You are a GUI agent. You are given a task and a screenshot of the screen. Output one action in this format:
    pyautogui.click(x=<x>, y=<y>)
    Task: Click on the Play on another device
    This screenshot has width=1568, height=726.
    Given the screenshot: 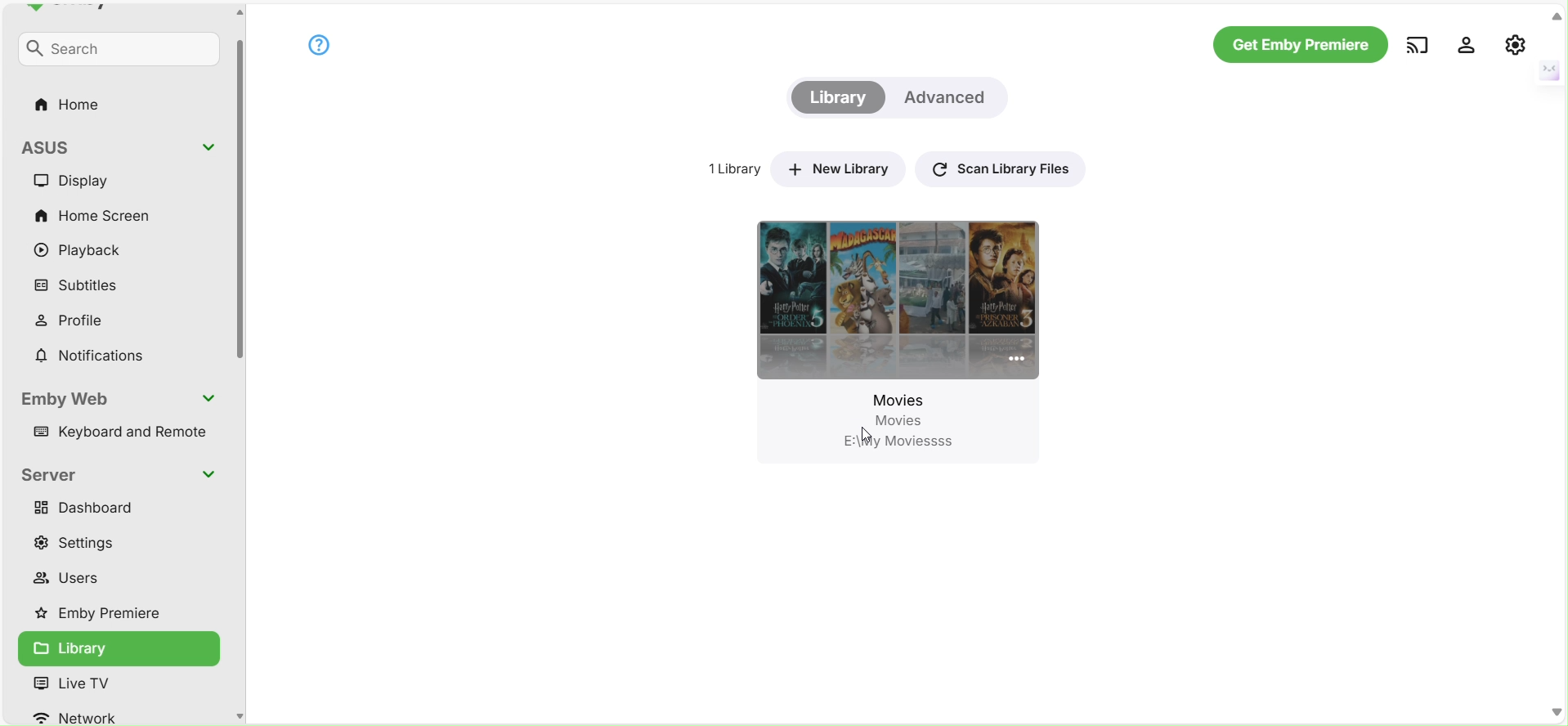 What is the action you would take?
    pyautogui.click(x=1417, y=44)
    